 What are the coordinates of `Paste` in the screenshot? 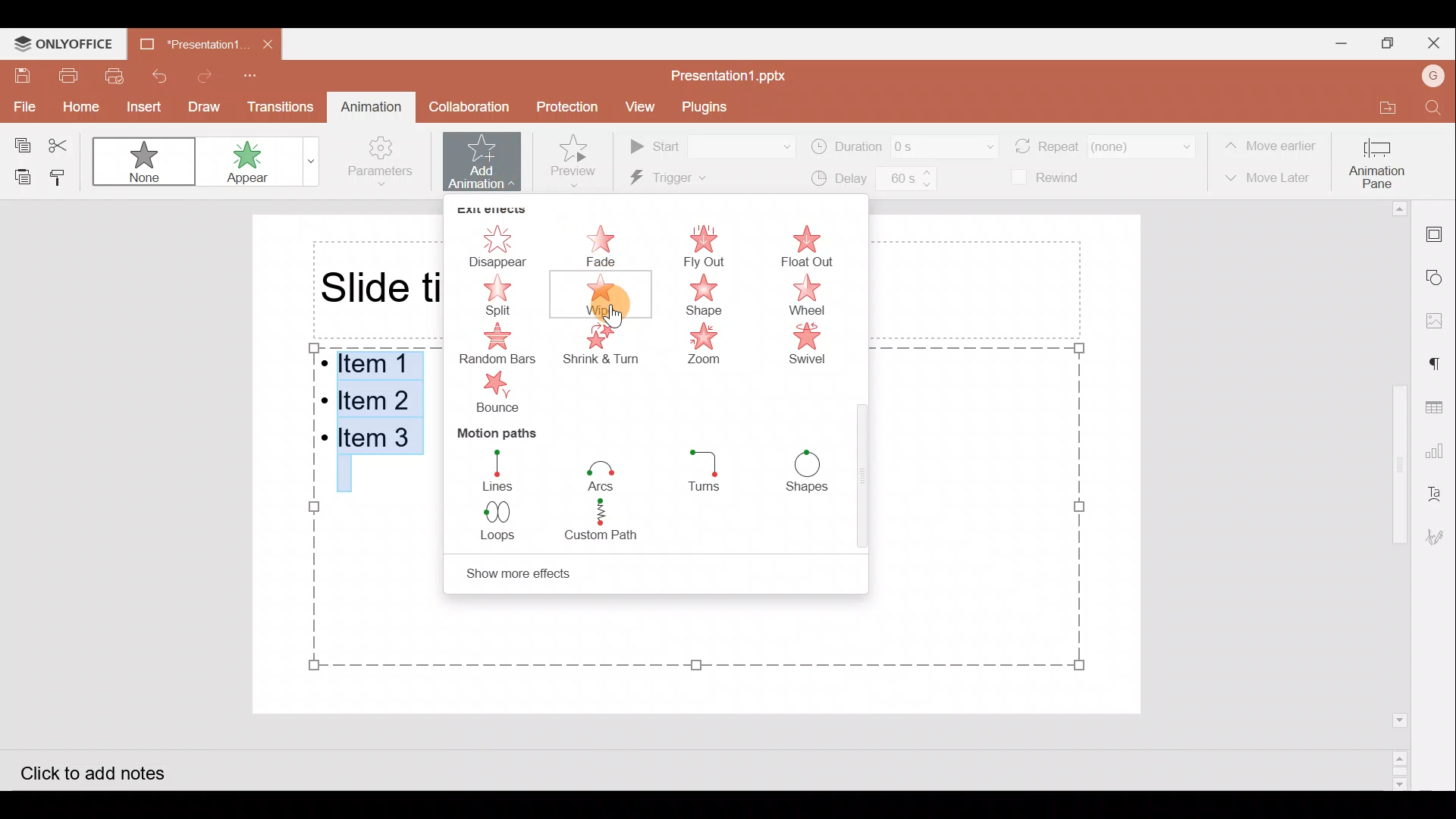 It's located at (22, 175).